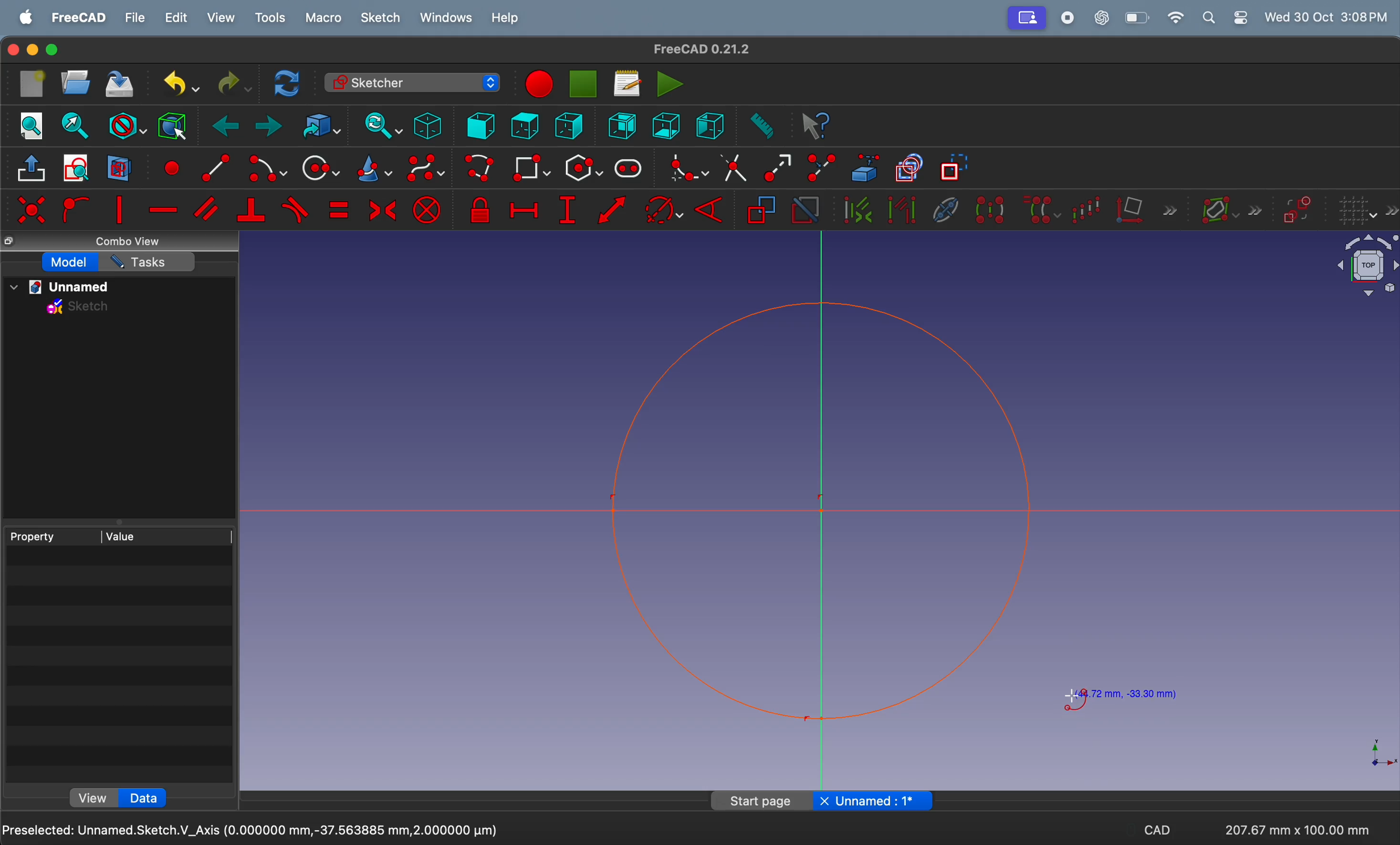 The height and width of the screenshot is (845, 1400). What do you see at coordinates (943, 208) in the screenshot?
I see `hide internal geometry` at bounding box center [943, 208].